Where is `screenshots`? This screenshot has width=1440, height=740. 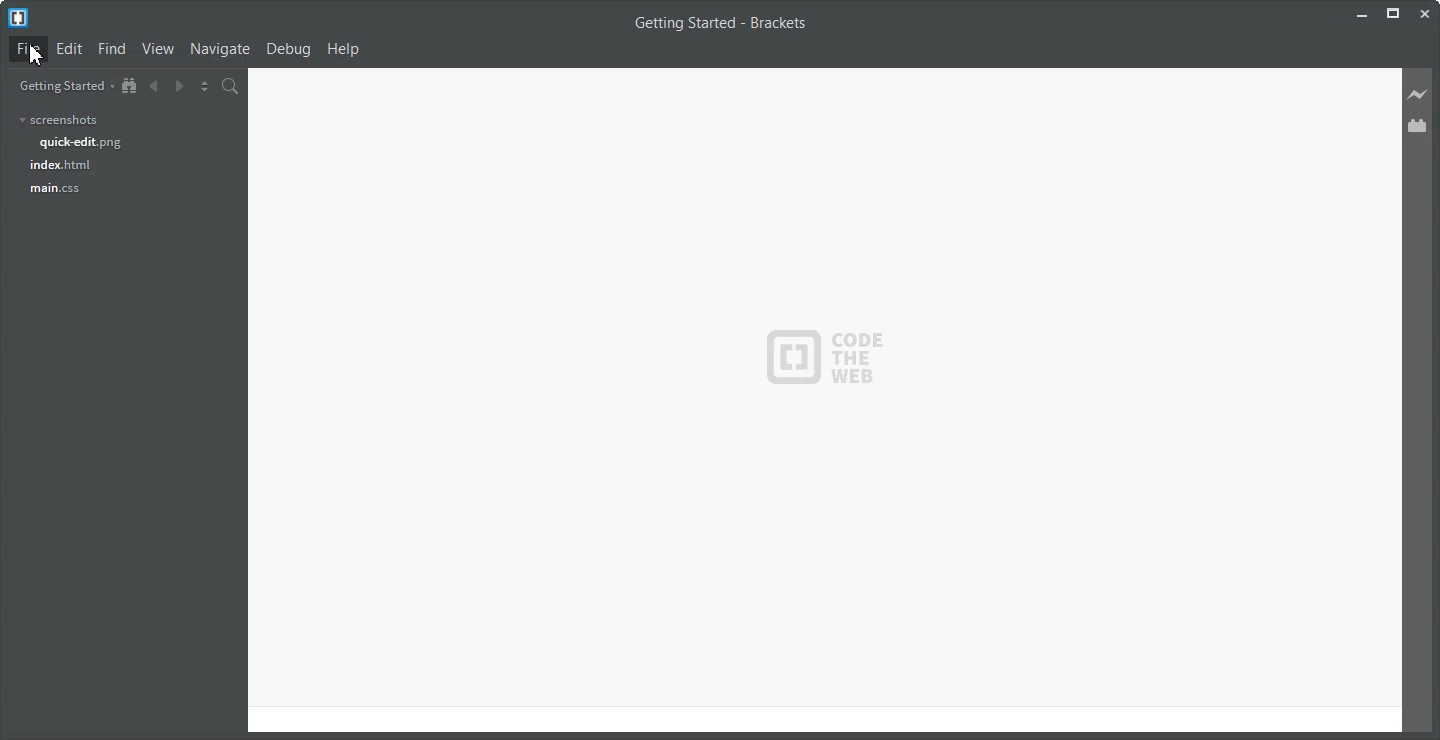
screenshots is located at coordinates (62, 121).